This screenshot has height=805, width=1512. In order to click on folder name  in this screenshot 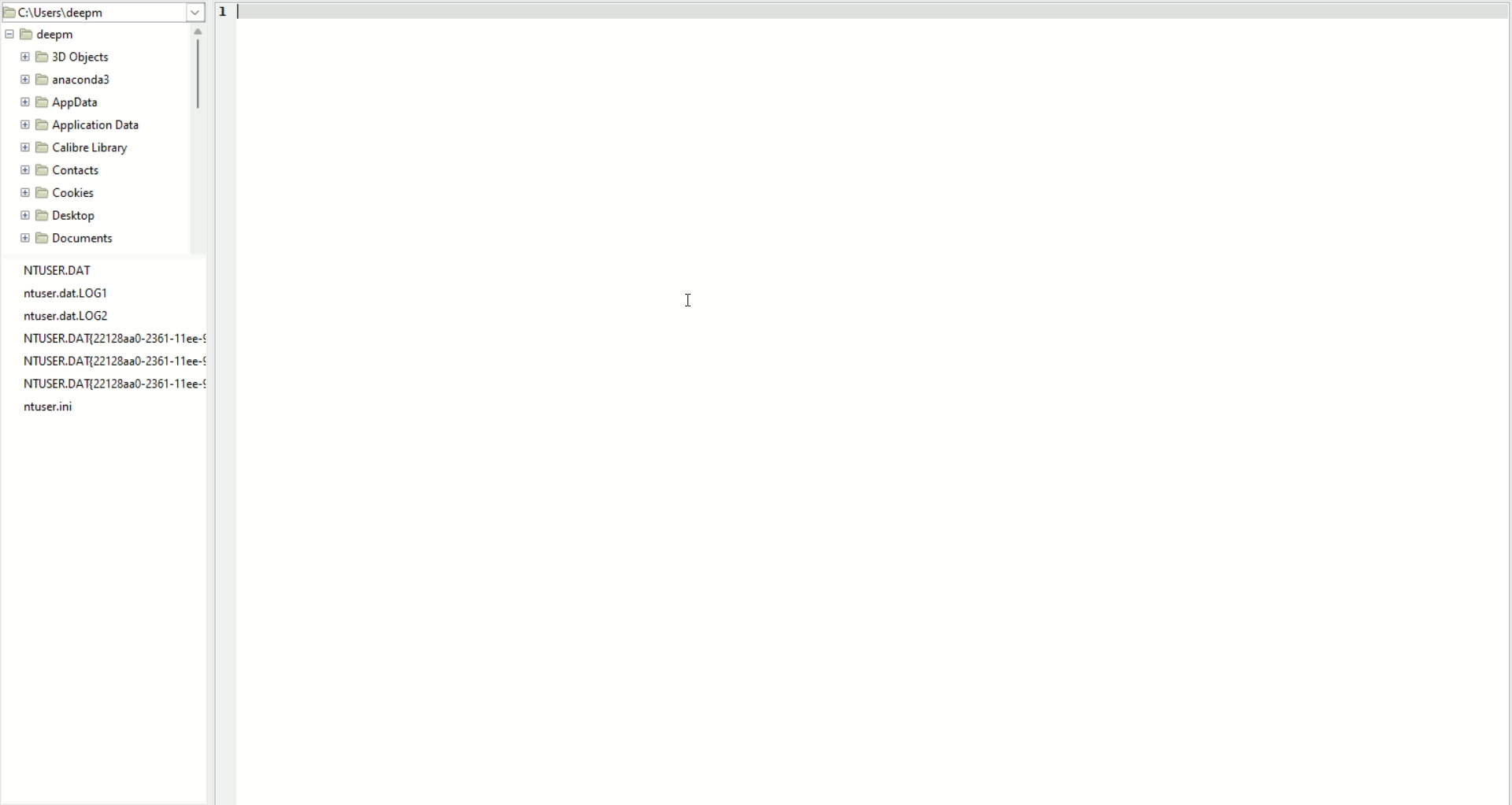, I will do `click(65, 57)`.